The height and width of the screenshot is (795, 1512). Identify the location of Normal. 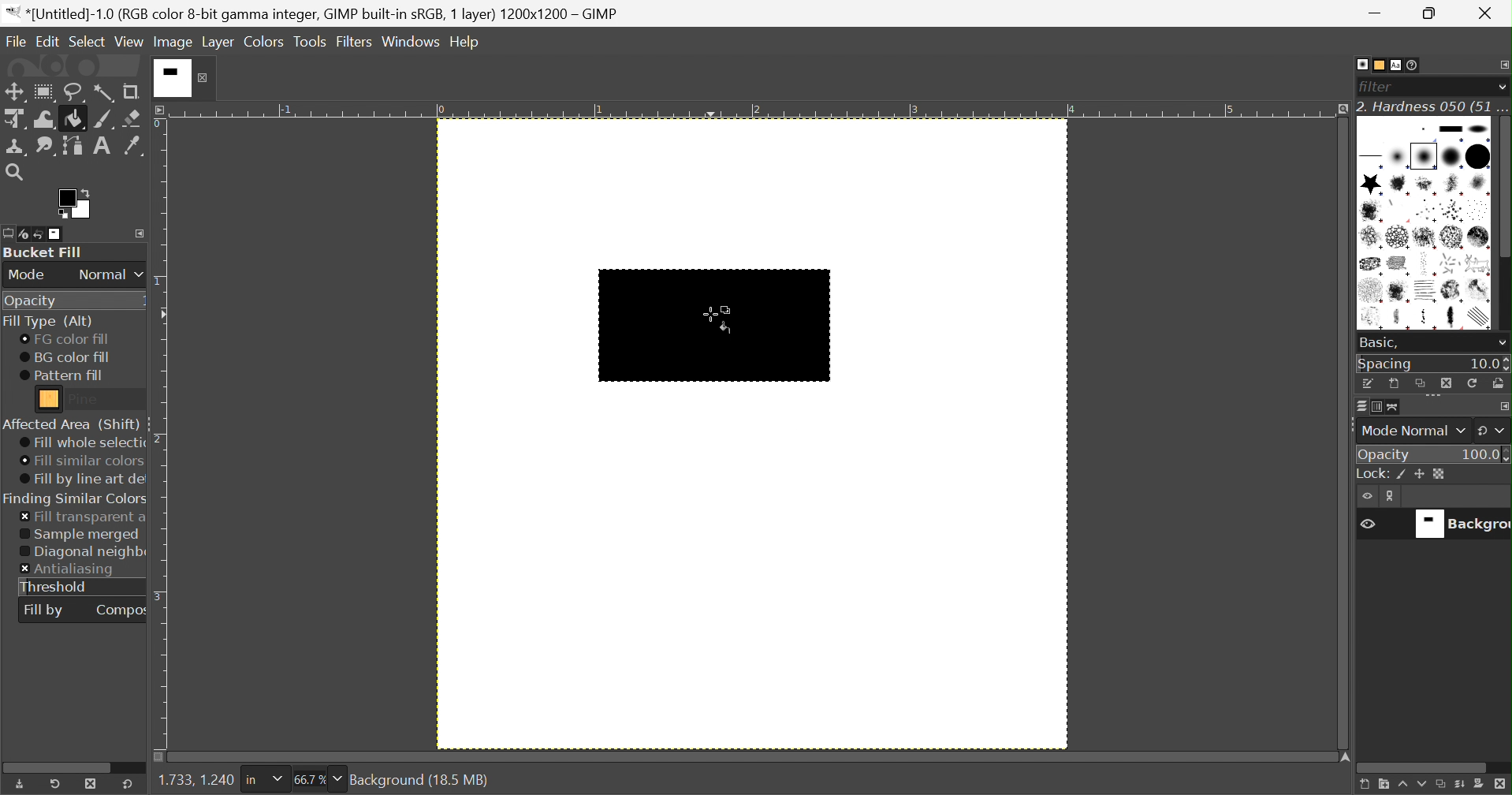
(111, 274).